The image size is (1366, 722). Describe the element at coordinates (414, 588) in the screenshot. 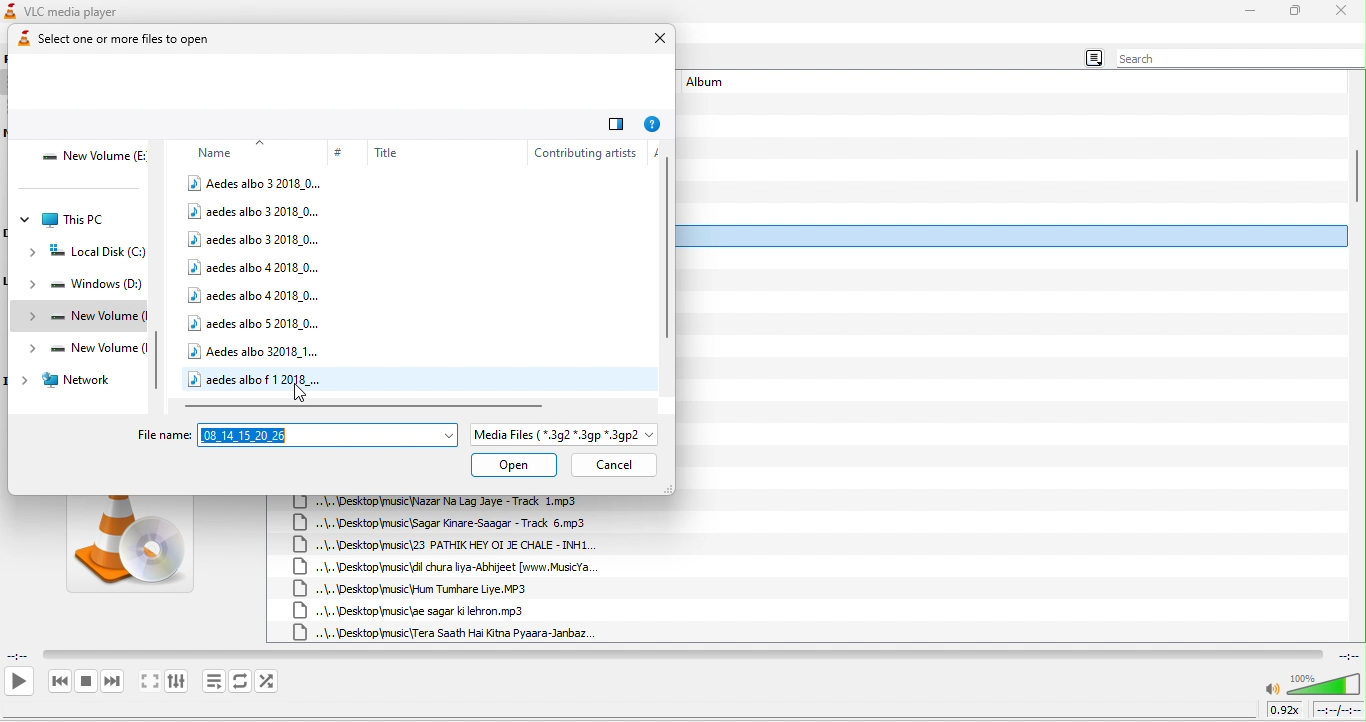

I see `..\..\Desktop\music\Hum Tumhare Liye. MP3` at that location.